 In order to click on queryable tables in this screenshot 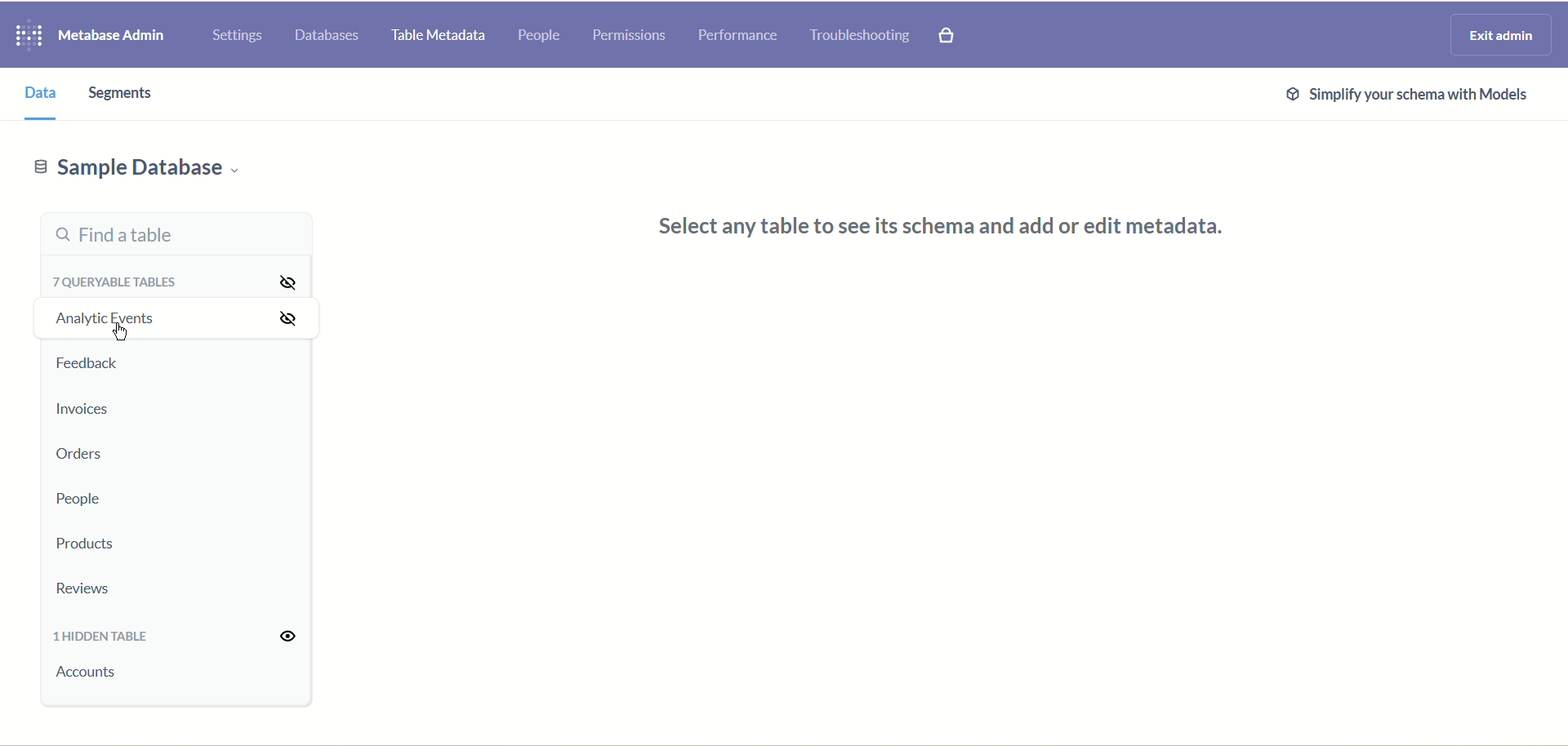, I will do `click(120, 279)`.